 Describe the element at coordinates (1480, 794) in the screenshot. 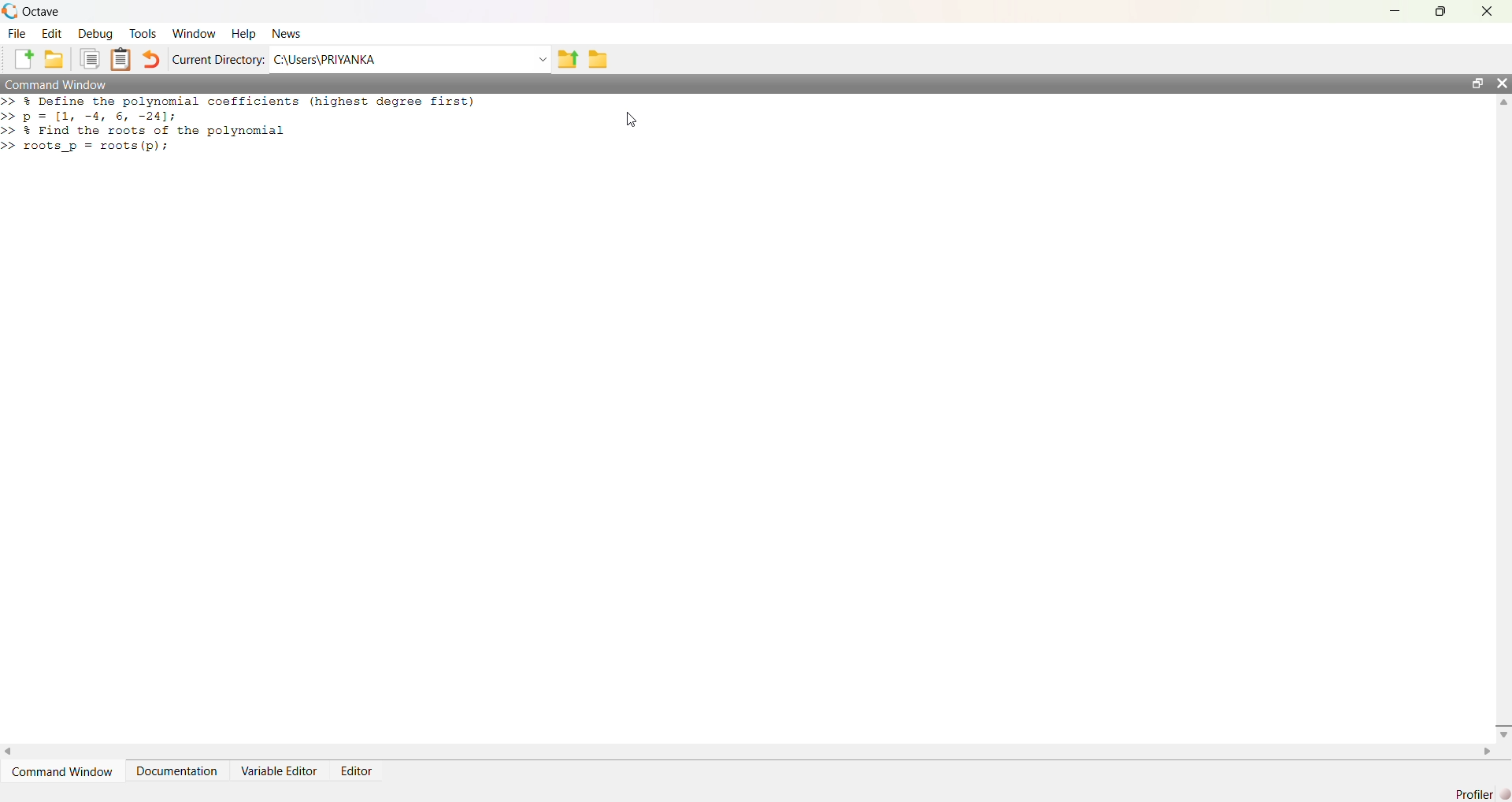

I see `Profile` at that location.